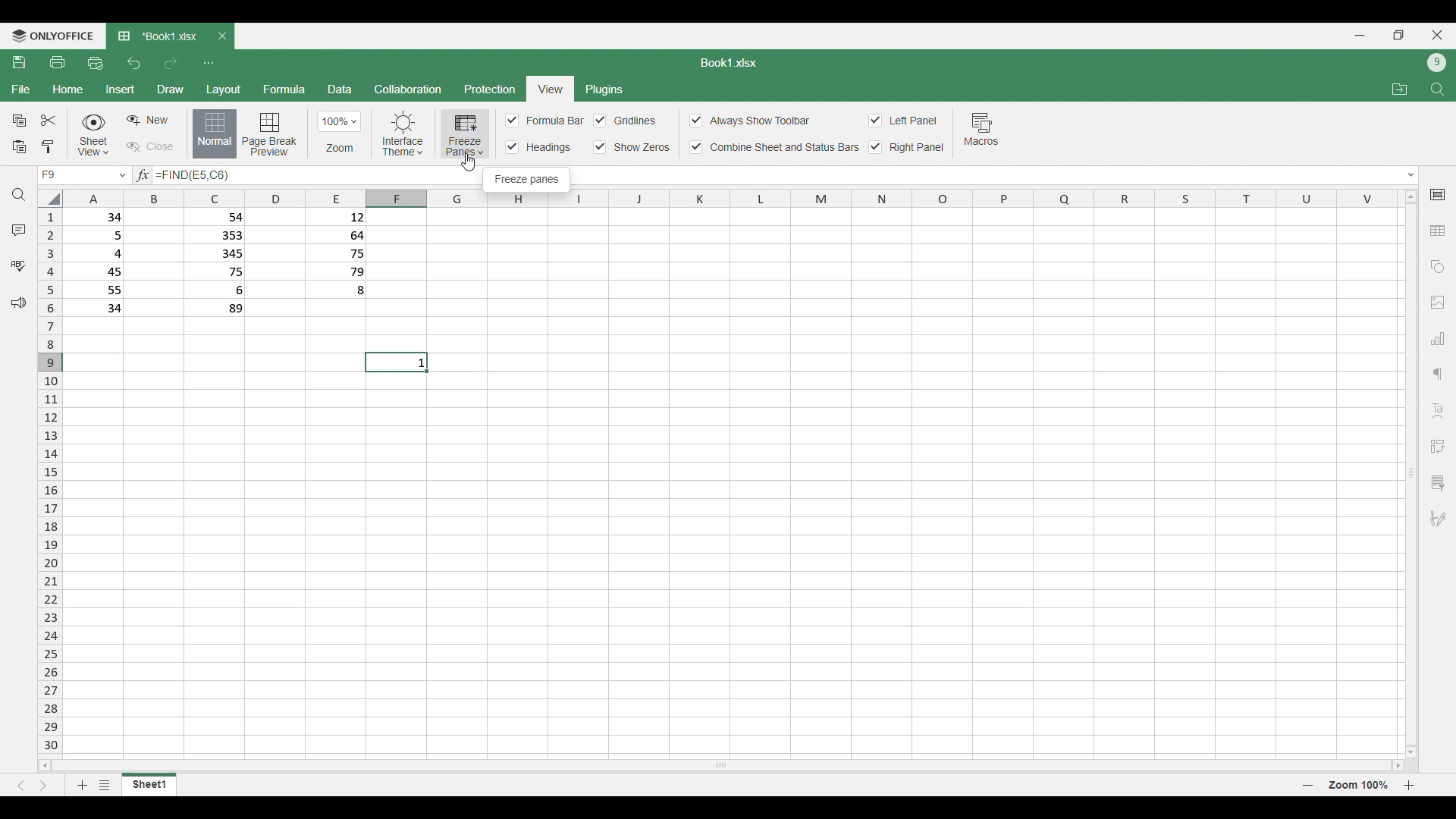  What do you see at coordinates (1399, 35) in the screenshot?
I see `Show in smaller tab` at bounding box center [1399, 35].